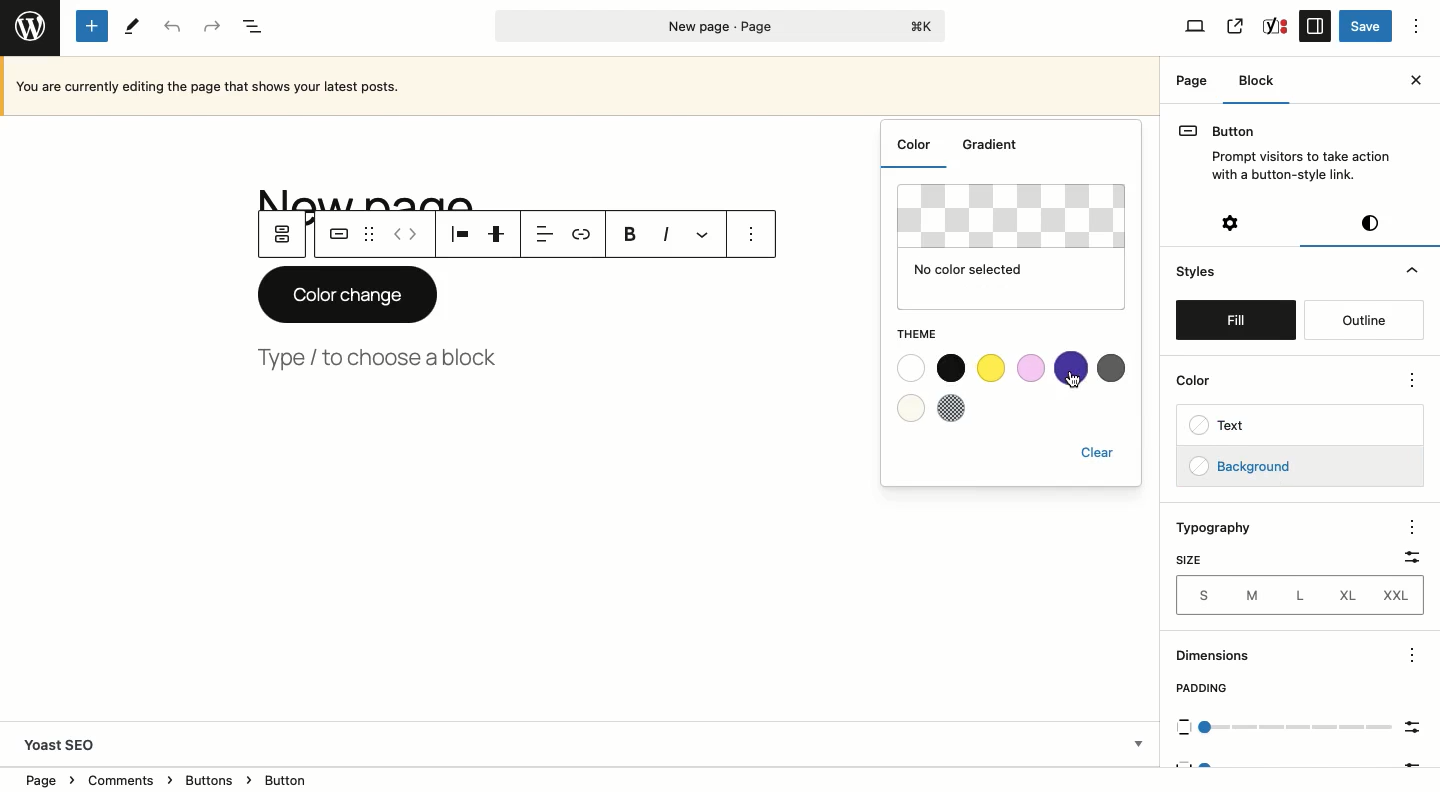 The image size is (1440, 792). Describe the element at coordinates (1195, 26) in the screenshot. I see `View` at that location.